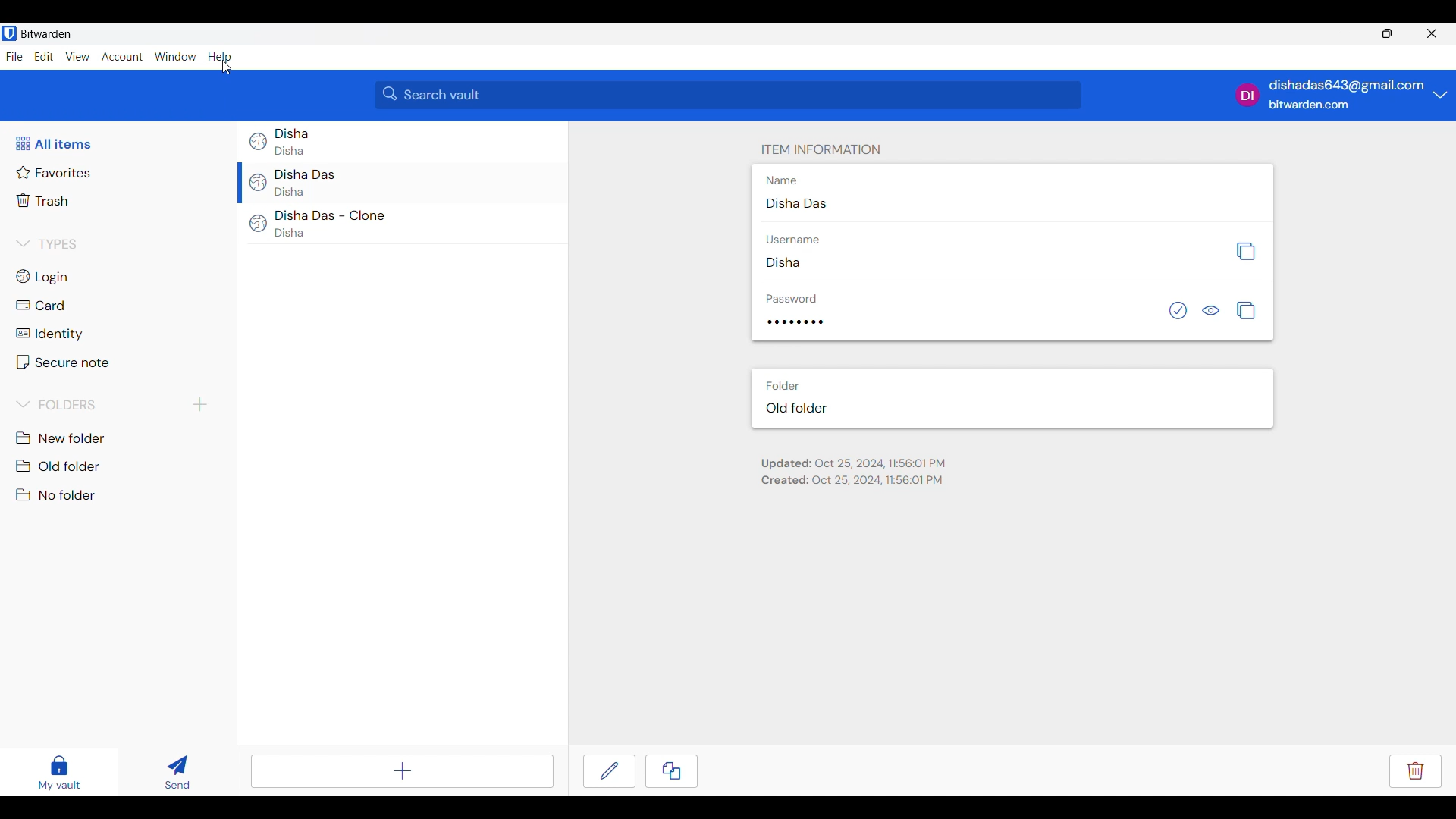  I want to click on Edit menu, so click(44, 56).